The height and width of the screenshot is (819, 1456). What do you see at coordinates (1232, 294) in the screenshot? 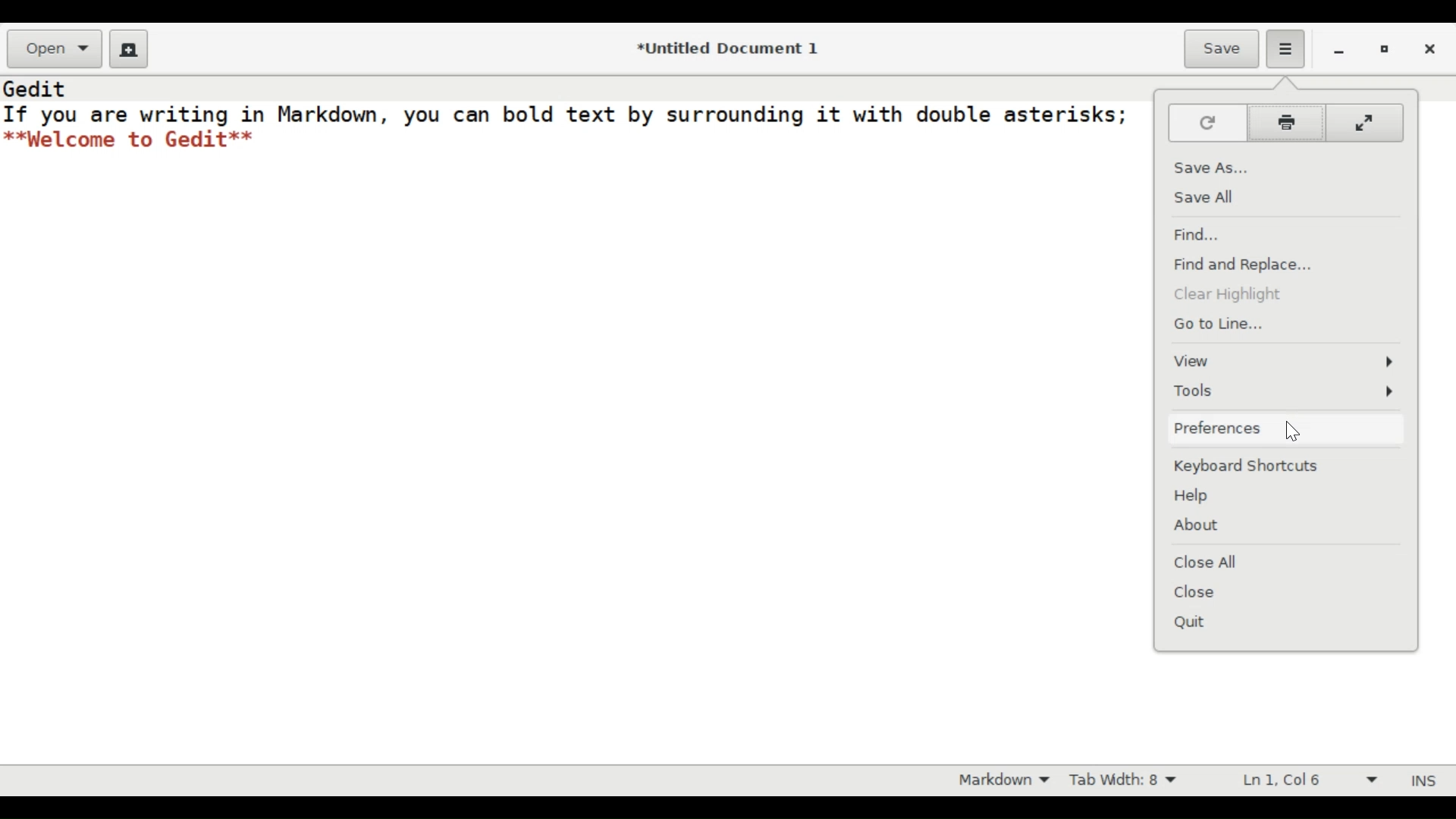
I see `Clear Highlight` at bounding box center [1232, 294].